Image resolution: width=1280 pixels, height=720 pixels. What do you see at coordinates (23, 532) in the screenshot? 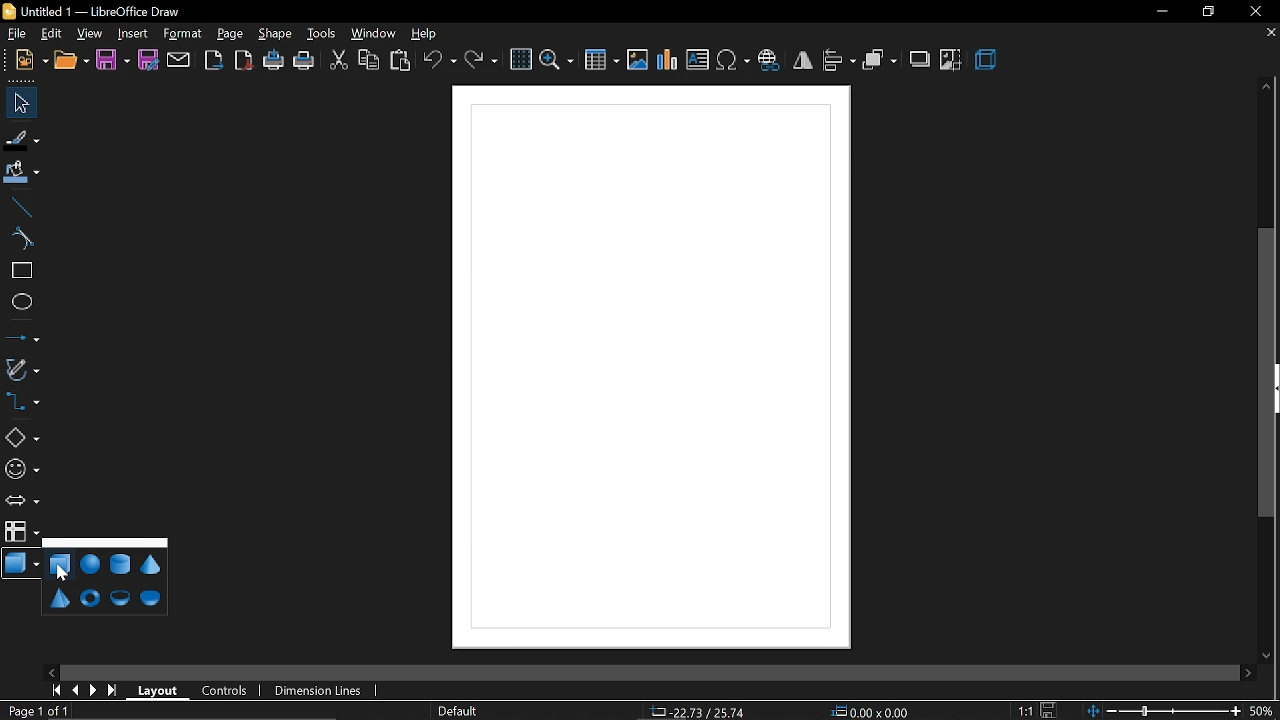
I see `flowchart` at bounding box center [23, 532].